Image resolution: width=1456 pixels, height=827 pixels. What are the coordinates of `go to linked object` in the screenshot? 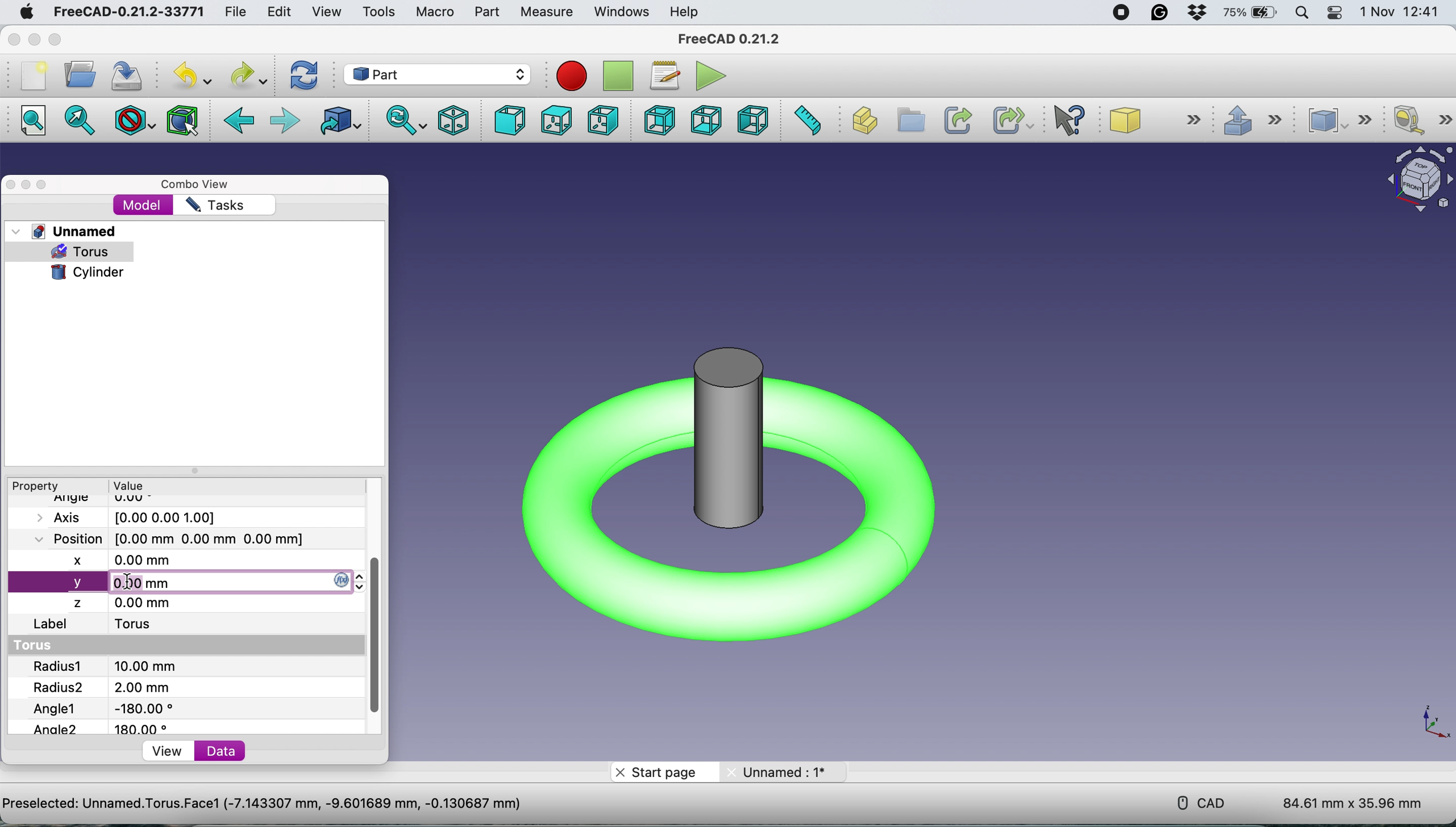 It's located at (343, 124).